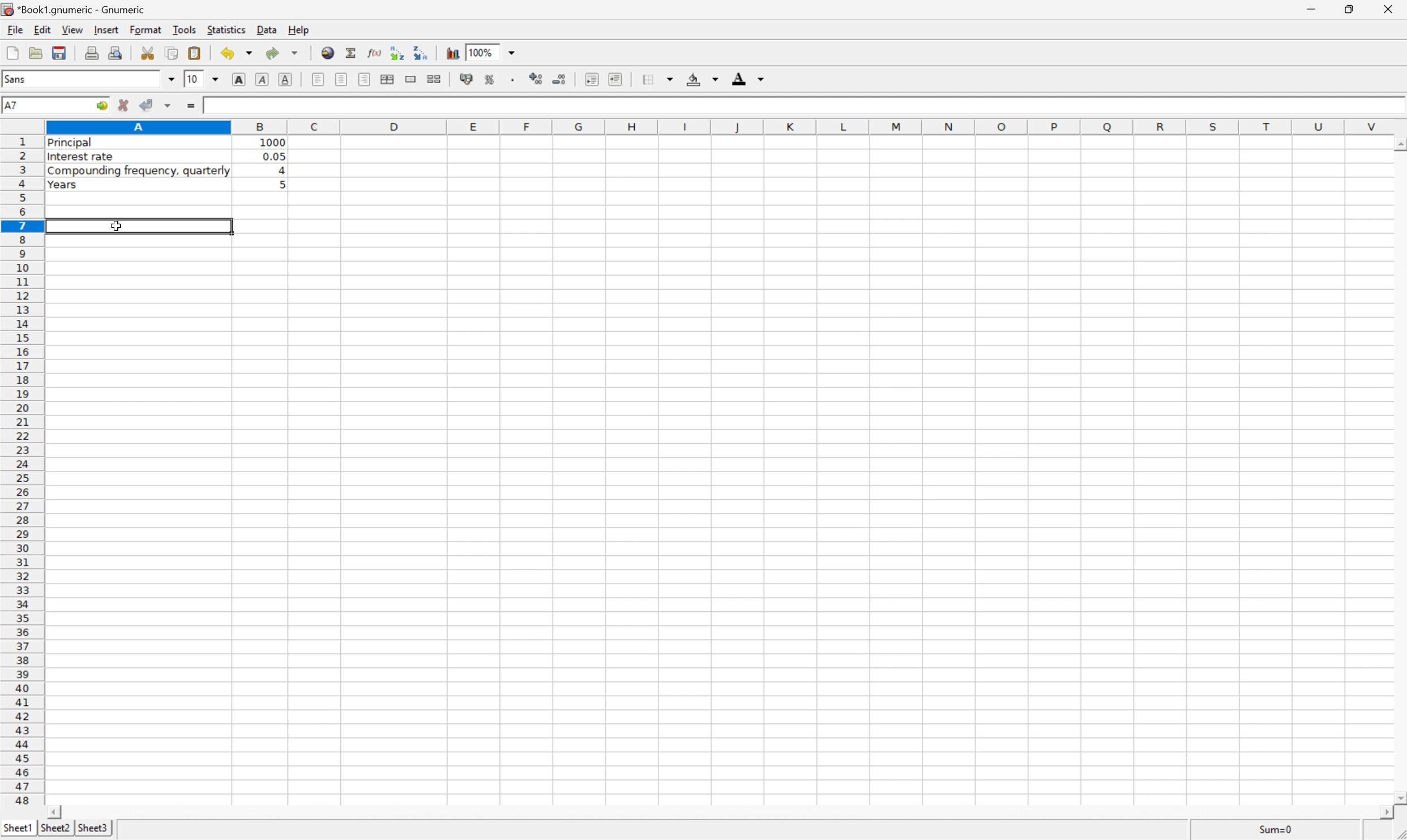 Image resolution: width=1407 pixels, height=840 pixels. I want to click on save current workbook, so click(62, 53).